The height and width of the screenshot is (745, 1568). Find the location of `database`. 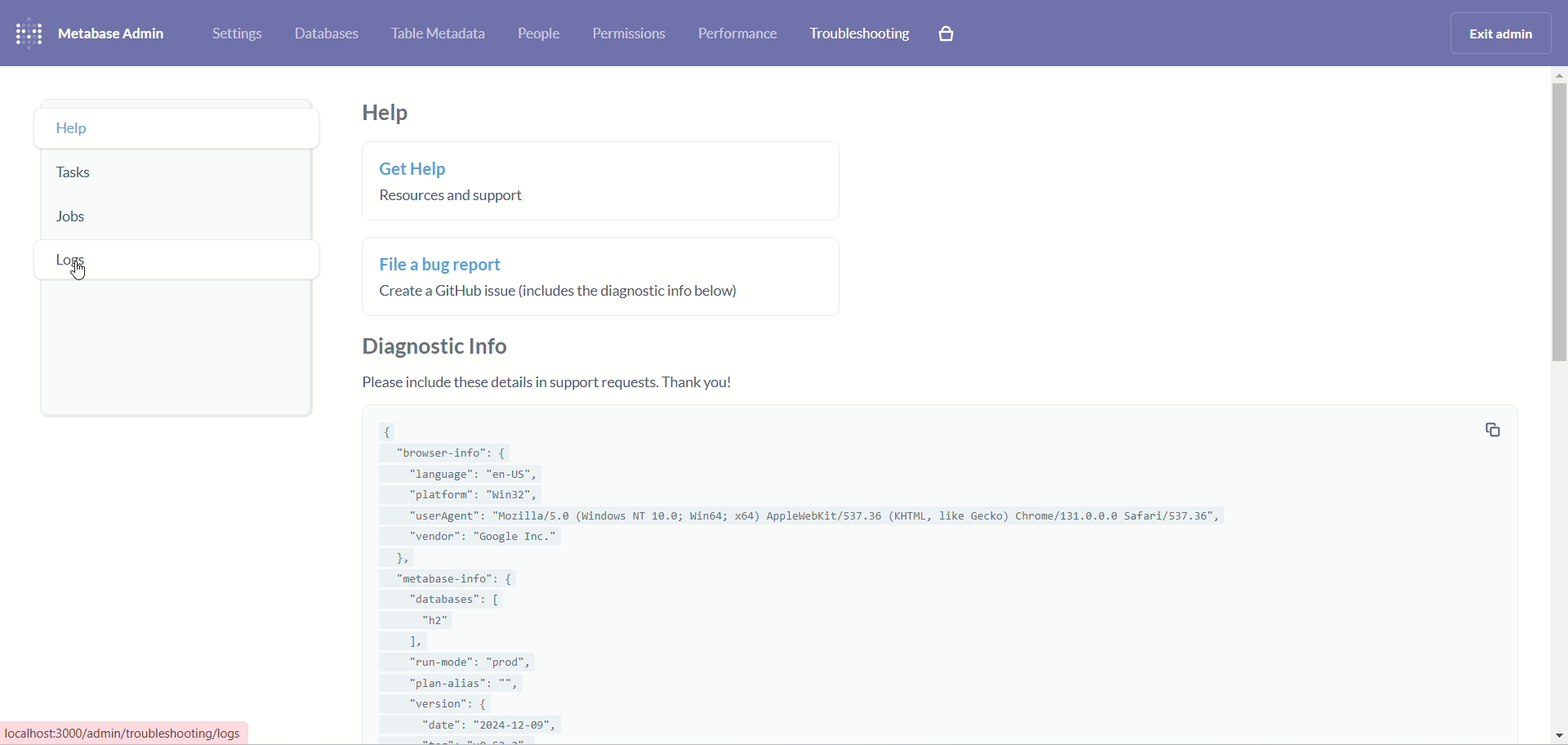

database is located at coordinates (327, 34).